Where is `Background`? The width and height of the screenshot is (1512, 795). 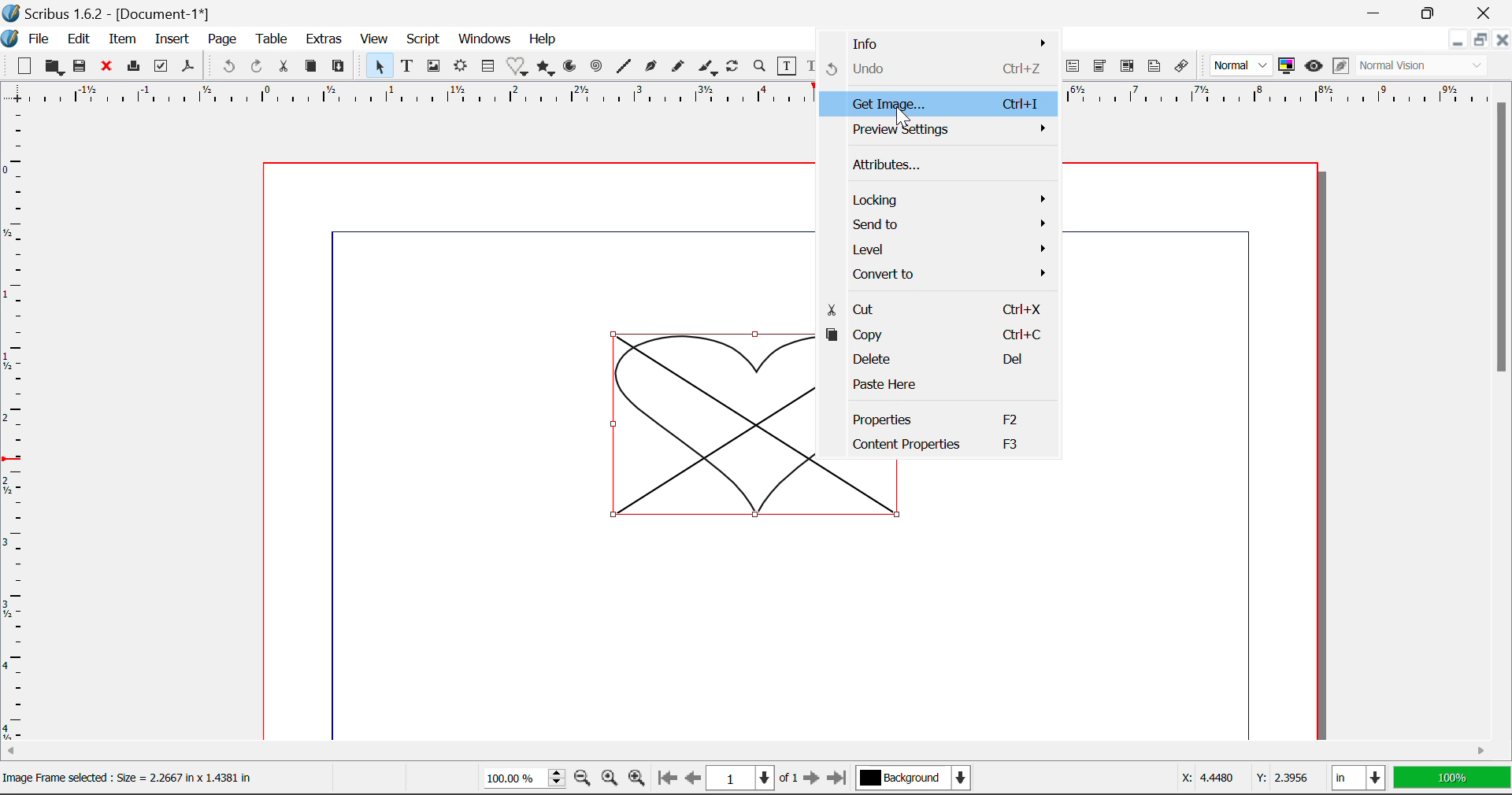 Background is located at coordinates (916, 779).